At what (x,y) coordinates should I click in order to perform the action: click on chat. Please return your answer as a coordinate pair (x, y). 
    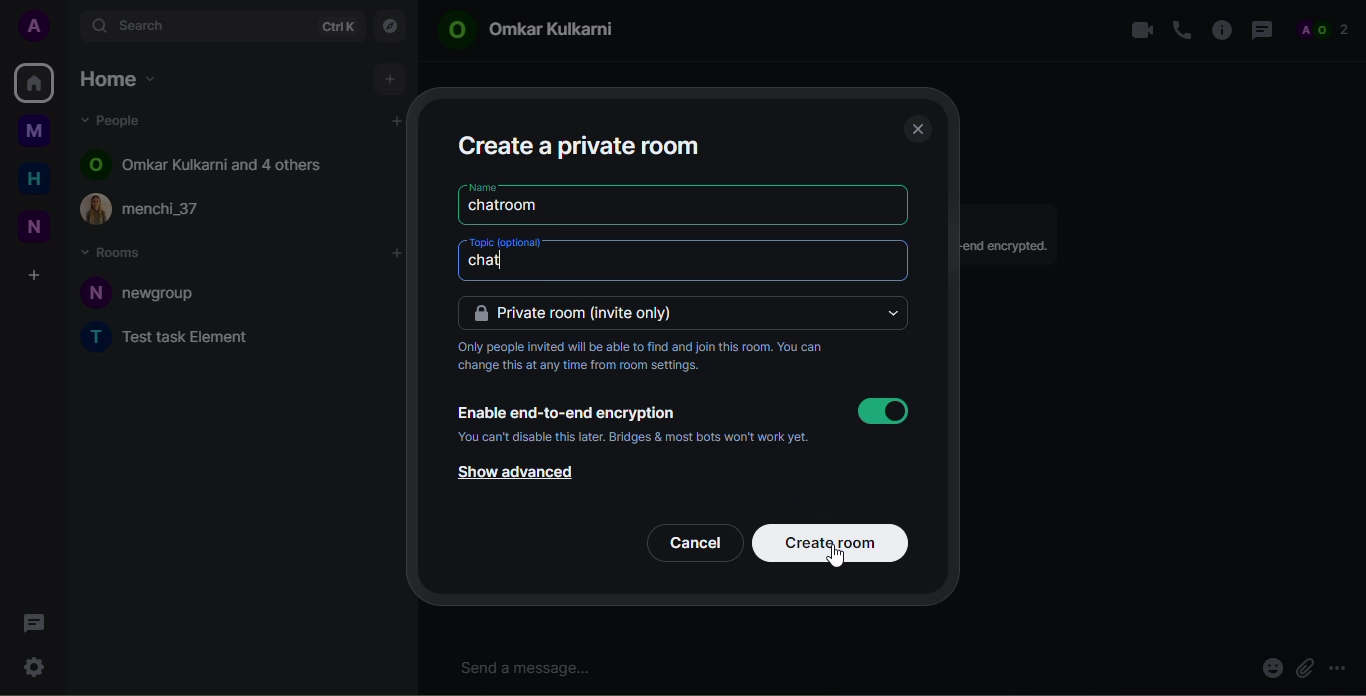
    Looking at the image, I should click on (489, 262).